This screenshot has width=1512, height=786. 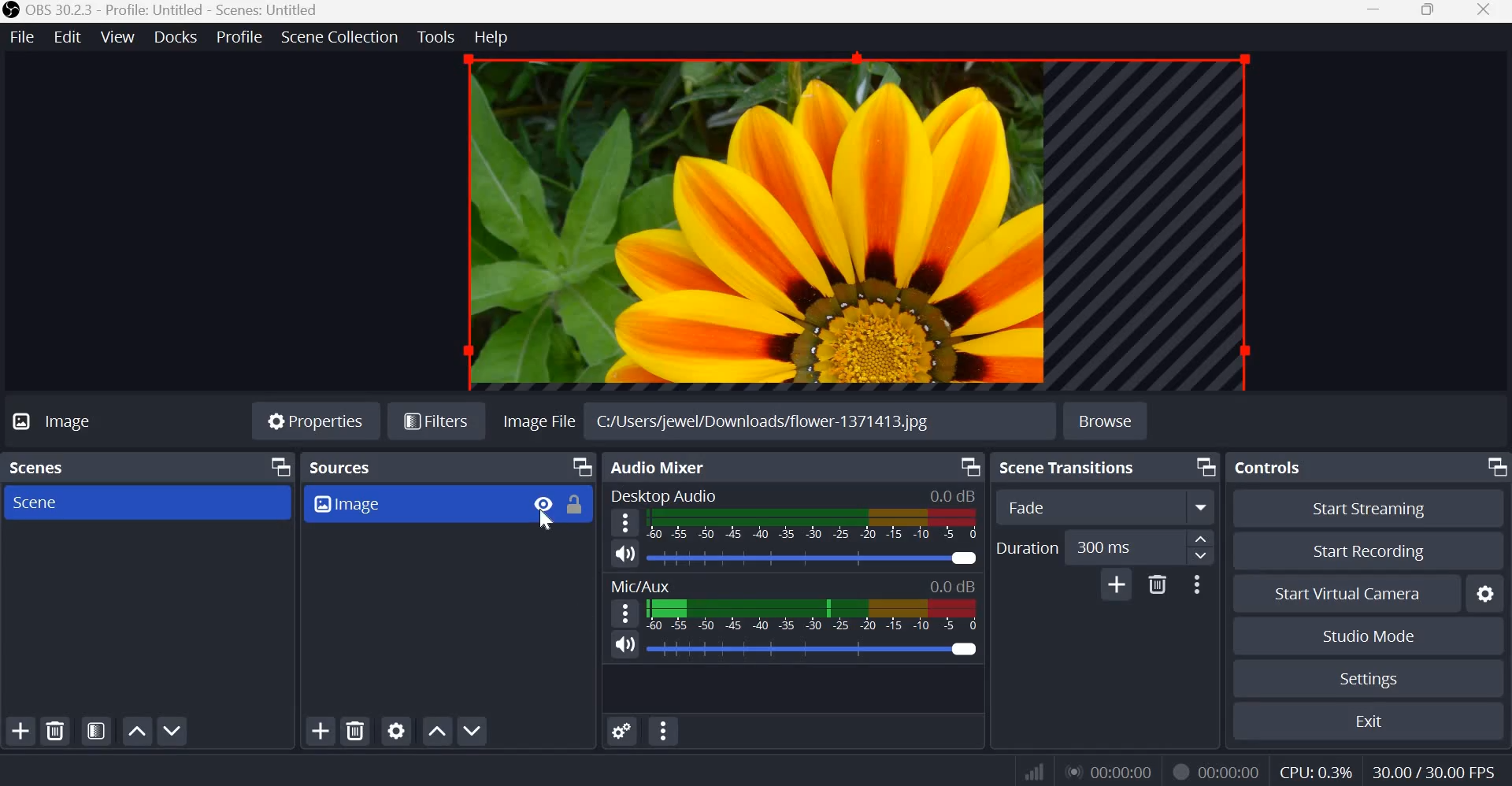 What do you see at coordinates (1109, 772) in the screenshot?
I see `Live Duration Timer` at bounding box center [1109, 772].